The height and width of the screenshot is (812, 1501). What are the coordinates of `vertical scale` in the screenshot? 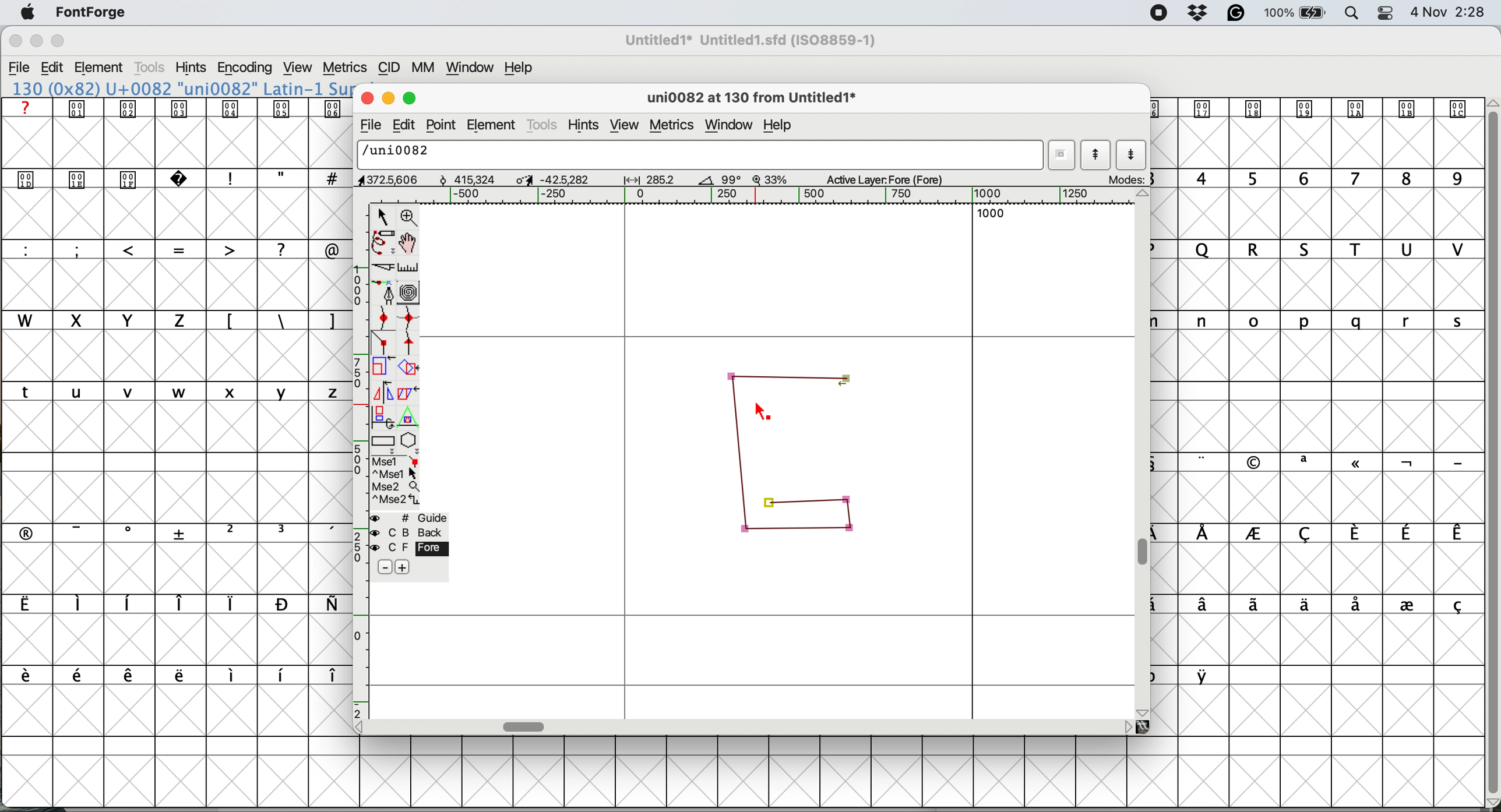 It's located at (362, 460).